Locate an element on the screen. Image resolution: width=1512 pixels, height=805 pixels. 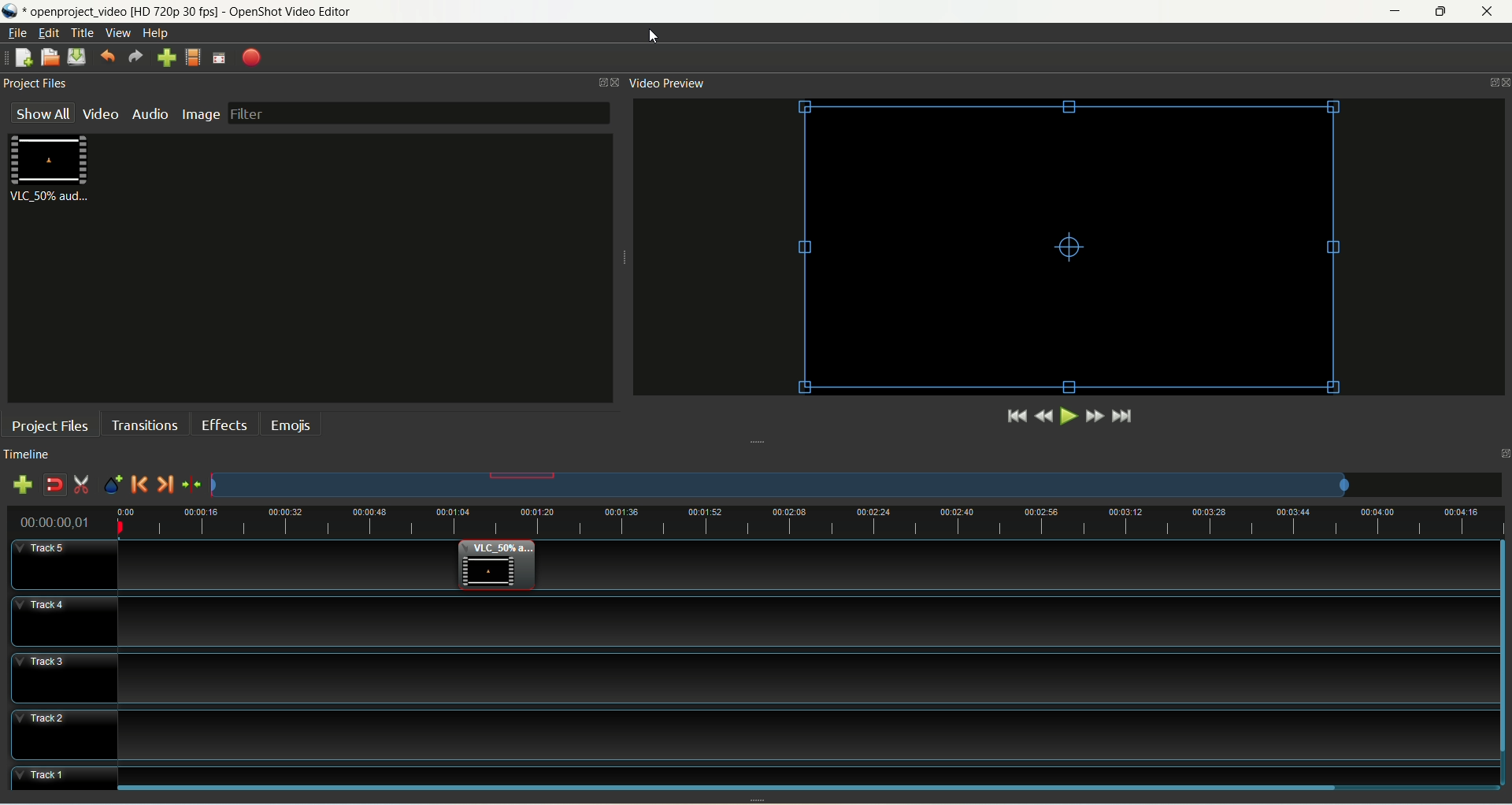
choose profile is located at coordinates (193, 57).